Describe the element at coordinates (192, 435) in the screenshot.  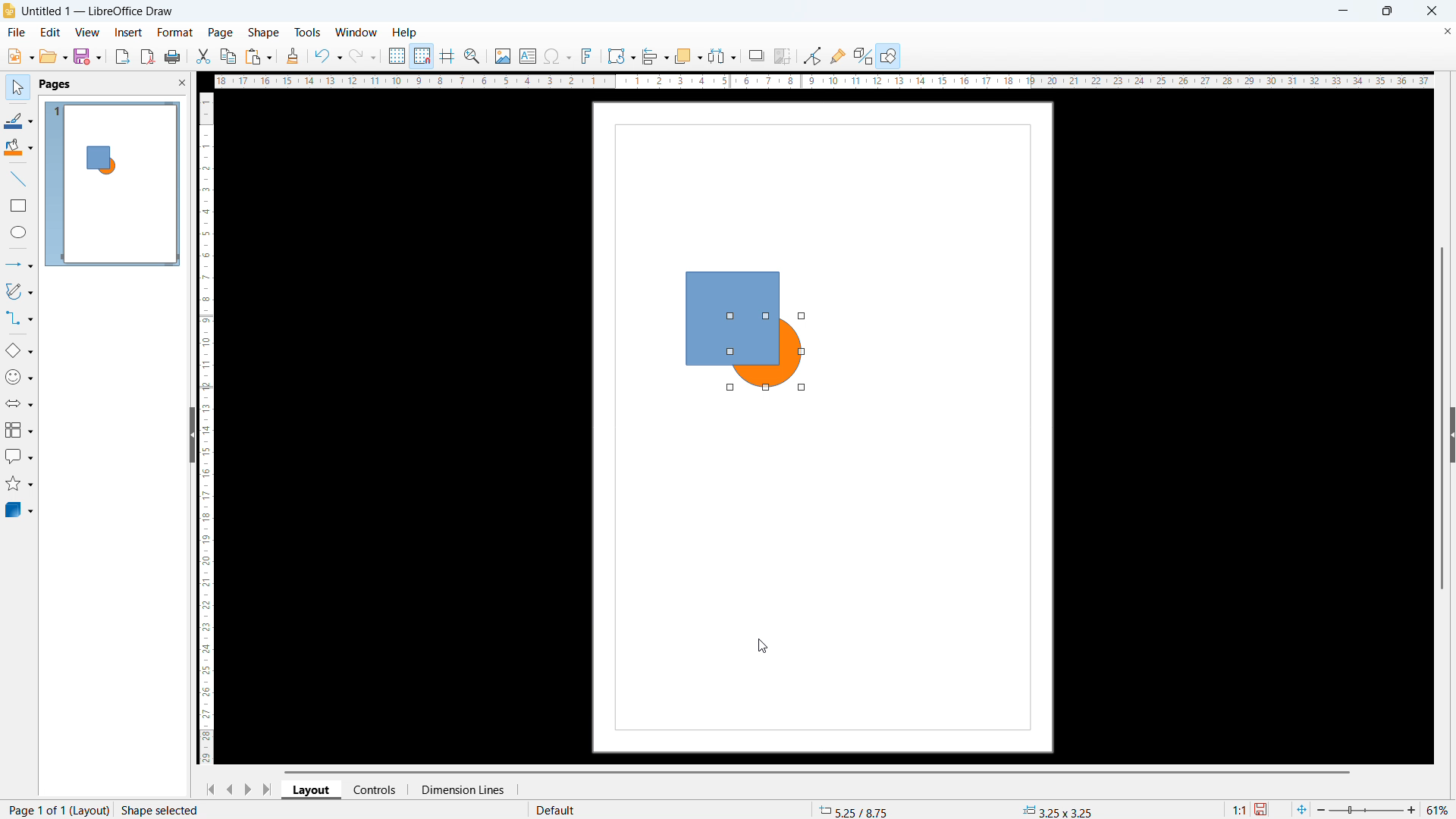
I see `Hide pane ` at that location.